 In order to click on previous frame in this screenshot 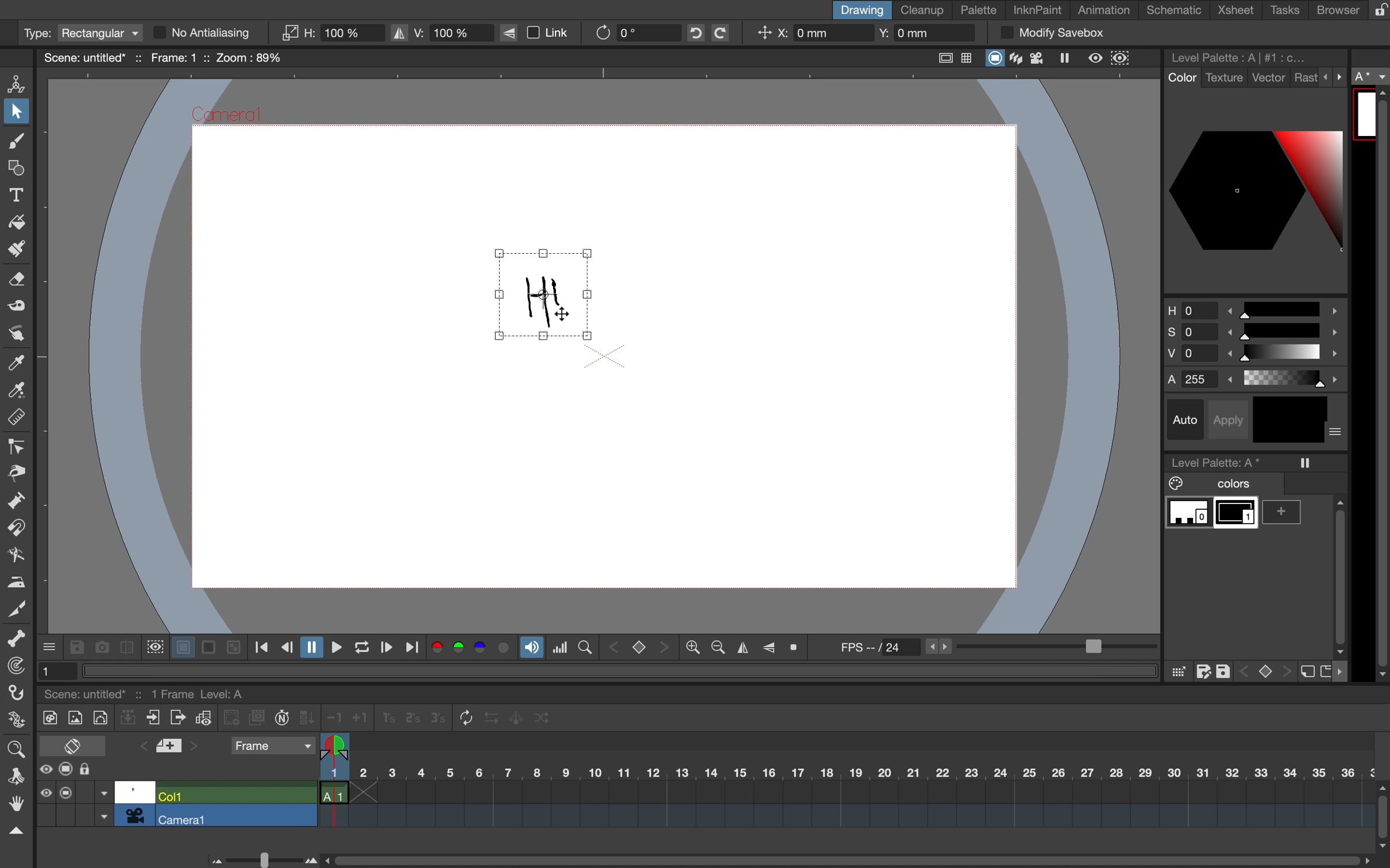, I will do `click(286, 648)`.